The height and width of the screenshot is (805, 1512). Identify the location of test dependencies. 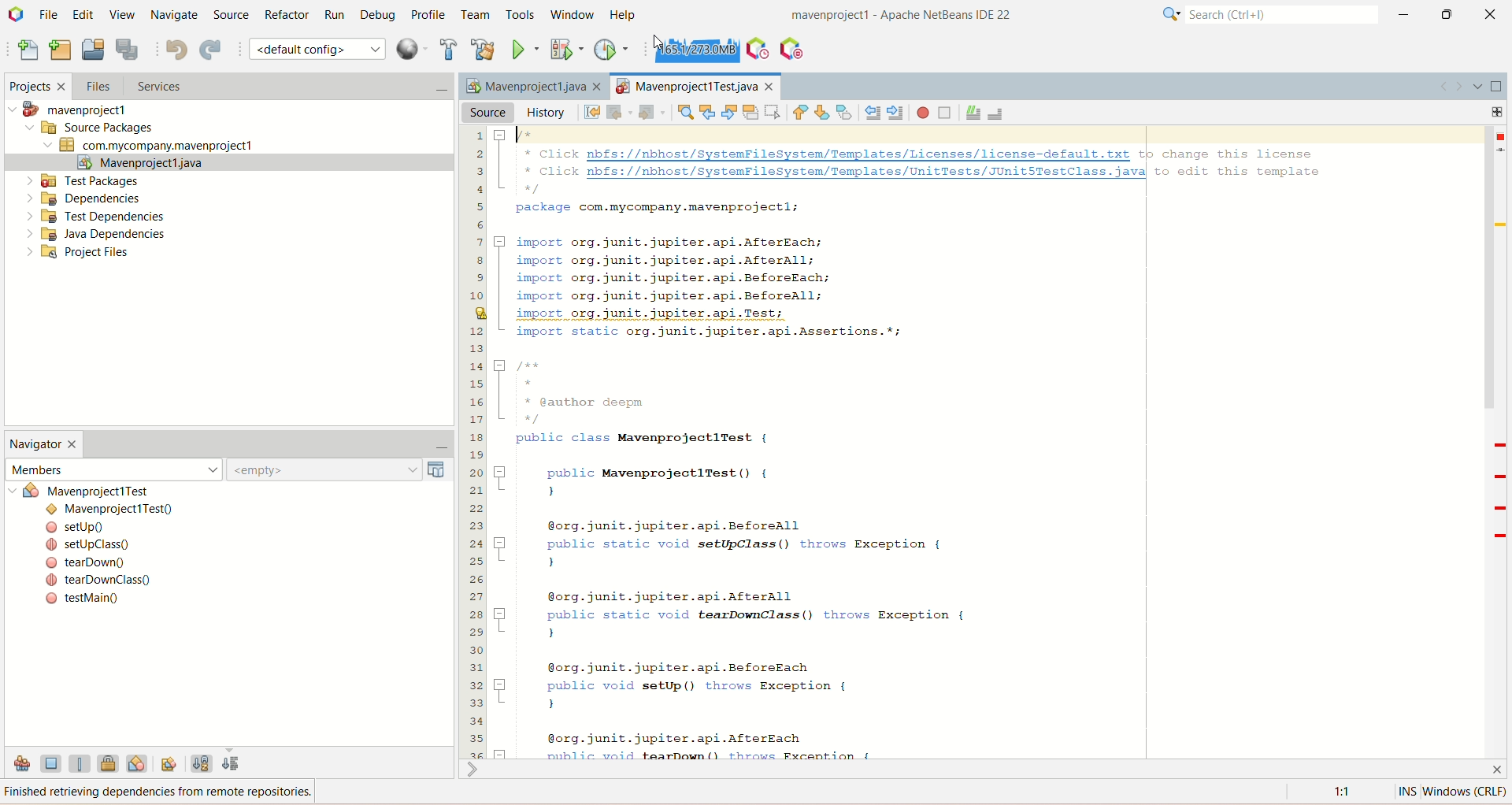
(91, 215).